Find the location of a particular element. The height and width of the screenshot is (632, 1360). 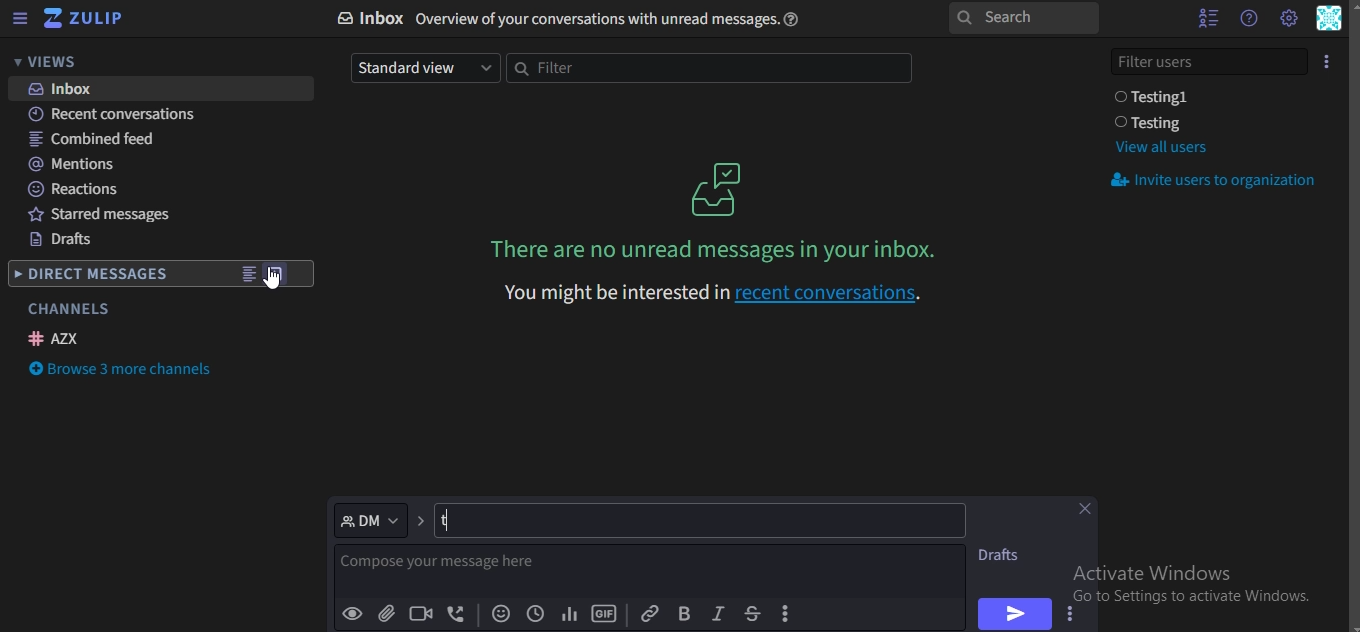

direct messages is located at coordinates (94, 276).